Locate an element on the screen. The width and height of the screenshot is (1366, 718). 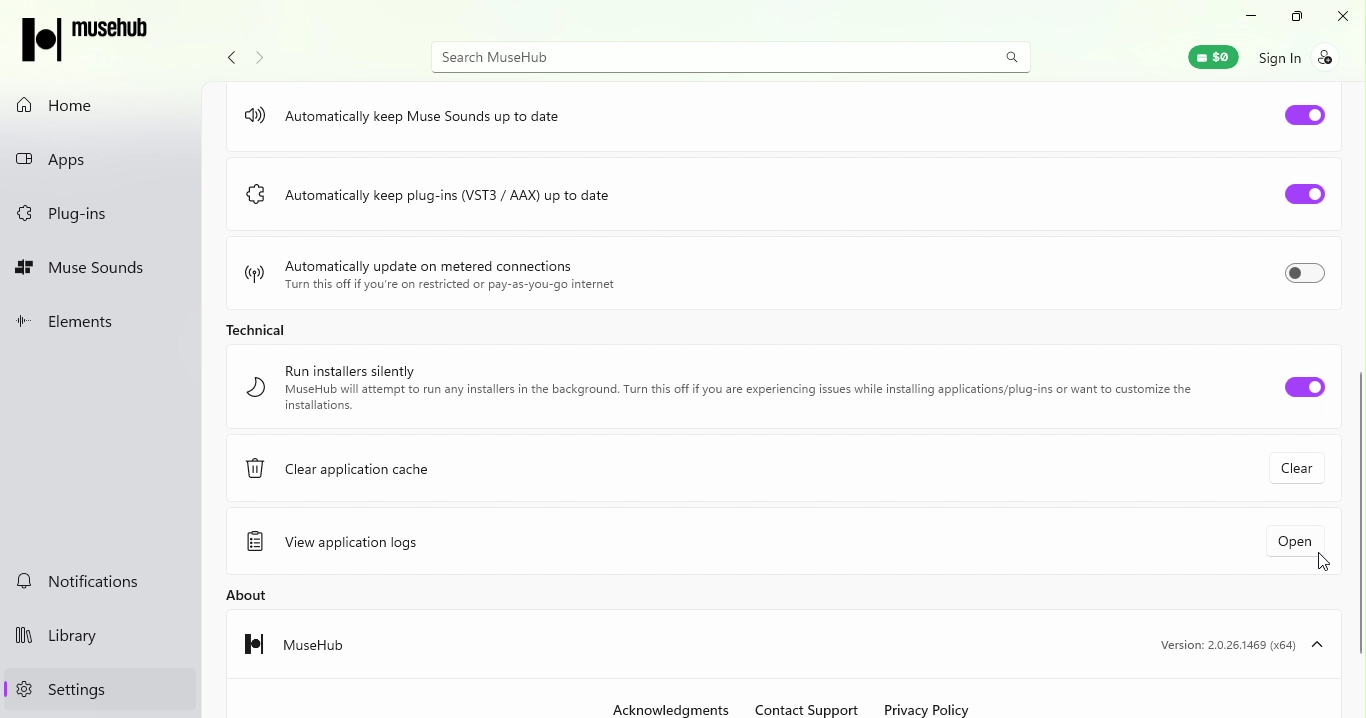
Plug-ins is located at coordinates (63, 216).